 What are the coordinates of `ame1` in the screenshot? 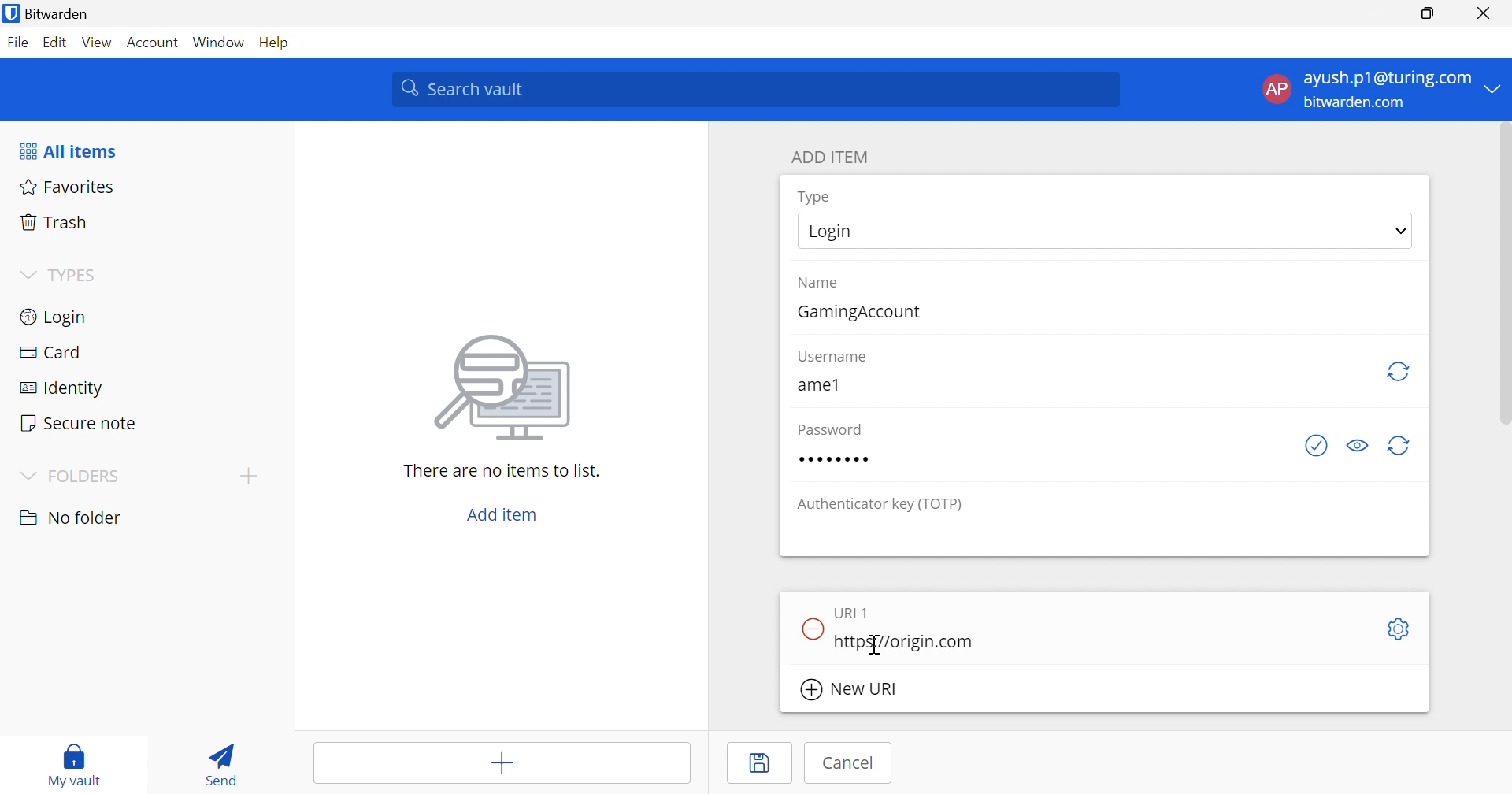 It's located at (817, 384).